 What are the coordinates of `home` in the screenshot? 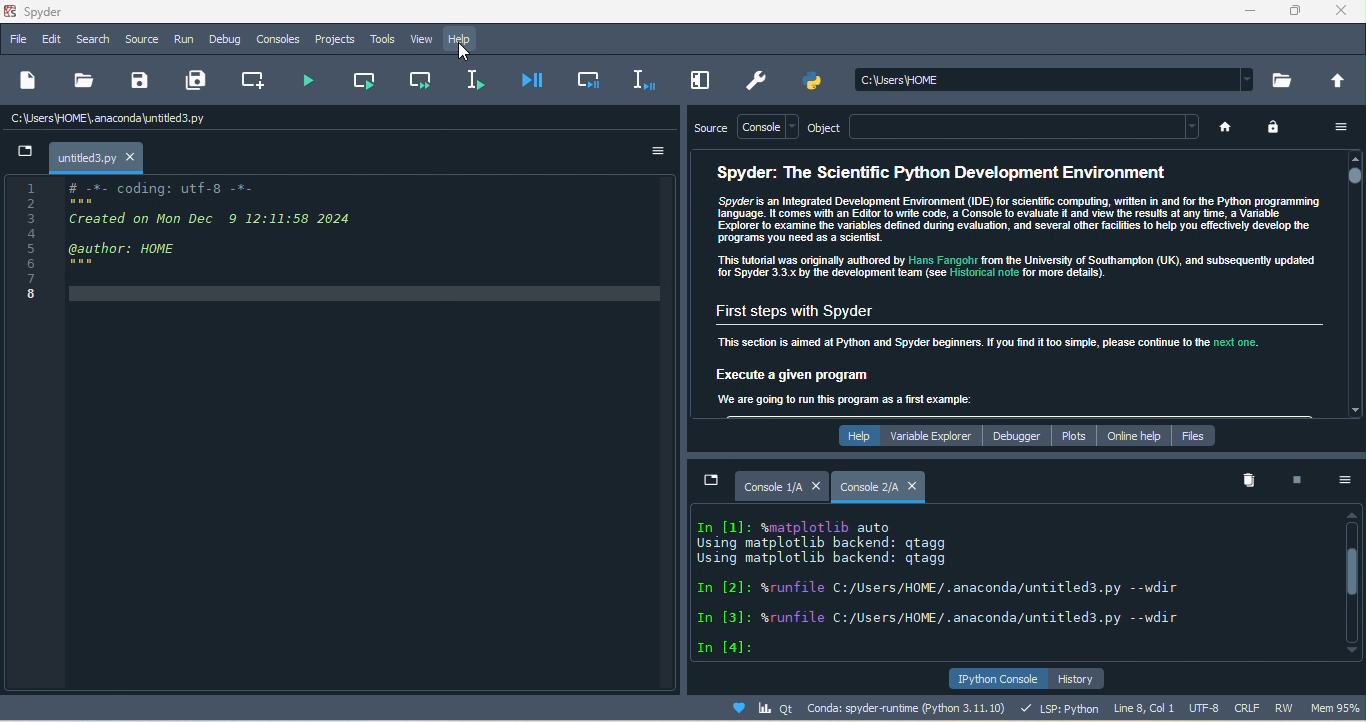 It's located at (1231, 130).